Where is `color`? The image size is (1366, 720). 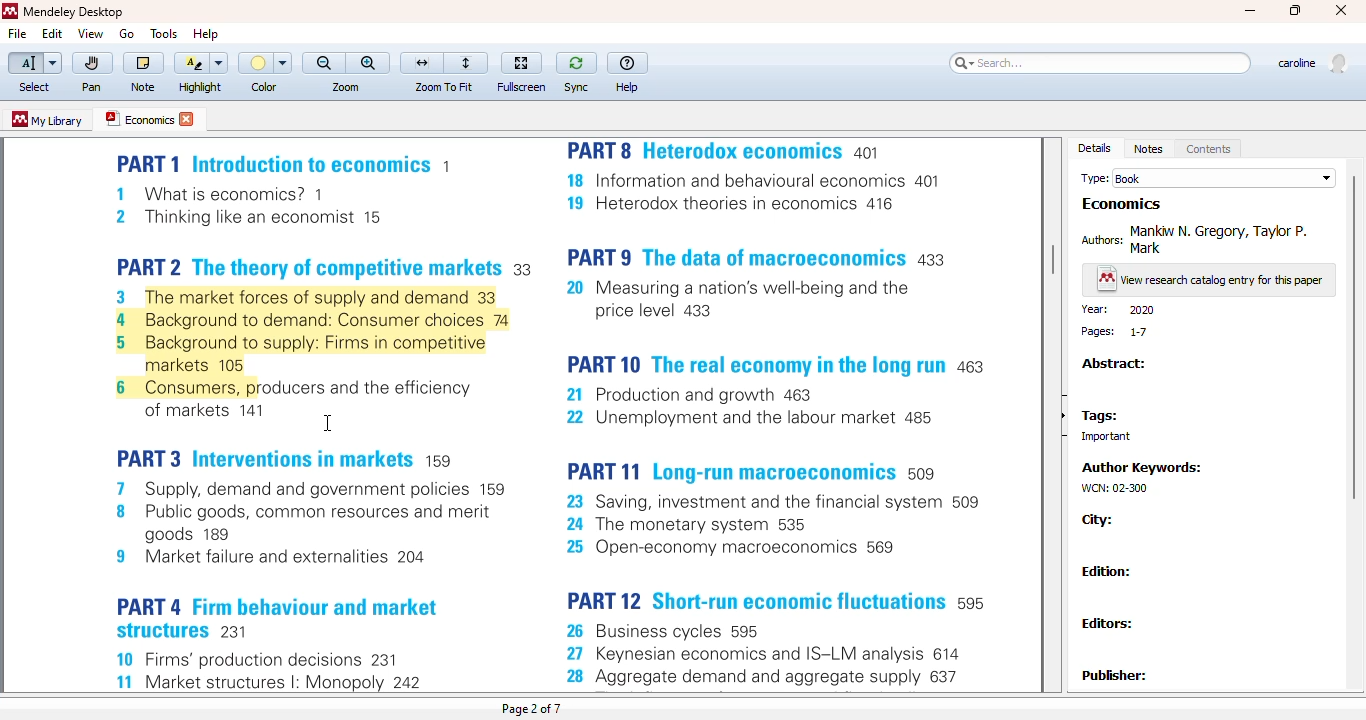
color is located at coordinates (265, 63).